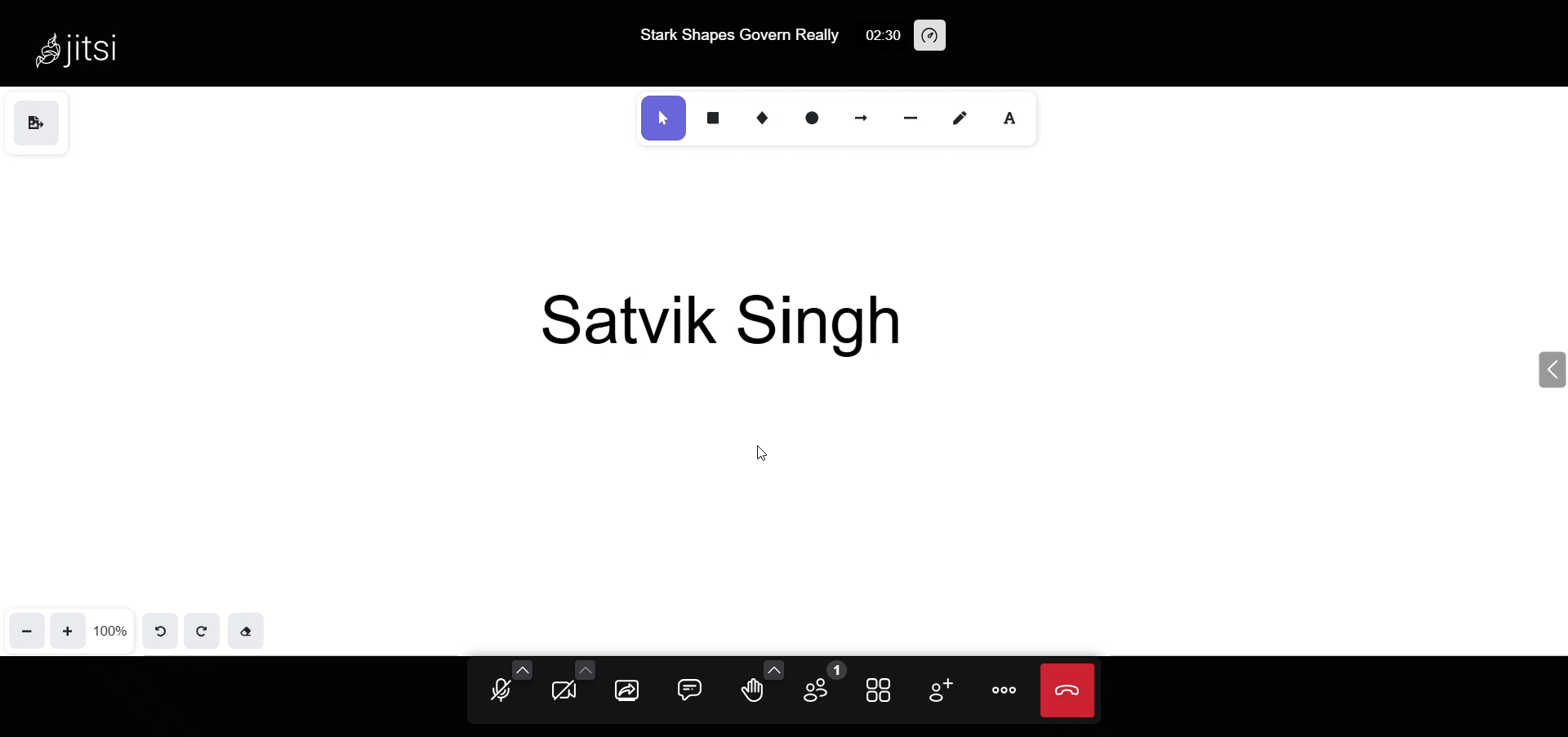 This screenshot has width=1568, height=737. I want to click on tile view, so click(881, 688).